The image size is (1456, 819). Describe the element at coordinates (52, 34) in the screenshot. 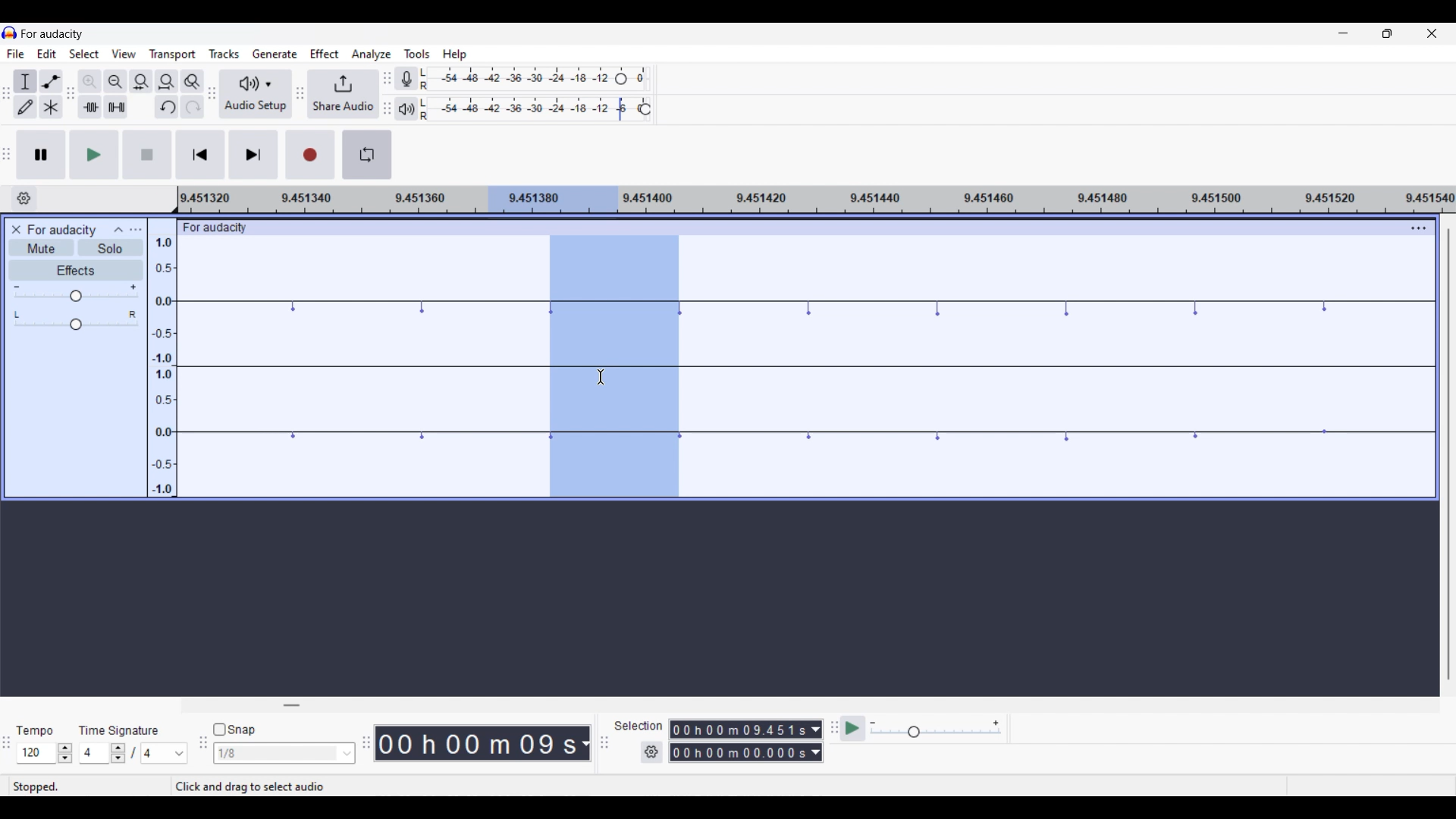

I see `Software name` at that location.